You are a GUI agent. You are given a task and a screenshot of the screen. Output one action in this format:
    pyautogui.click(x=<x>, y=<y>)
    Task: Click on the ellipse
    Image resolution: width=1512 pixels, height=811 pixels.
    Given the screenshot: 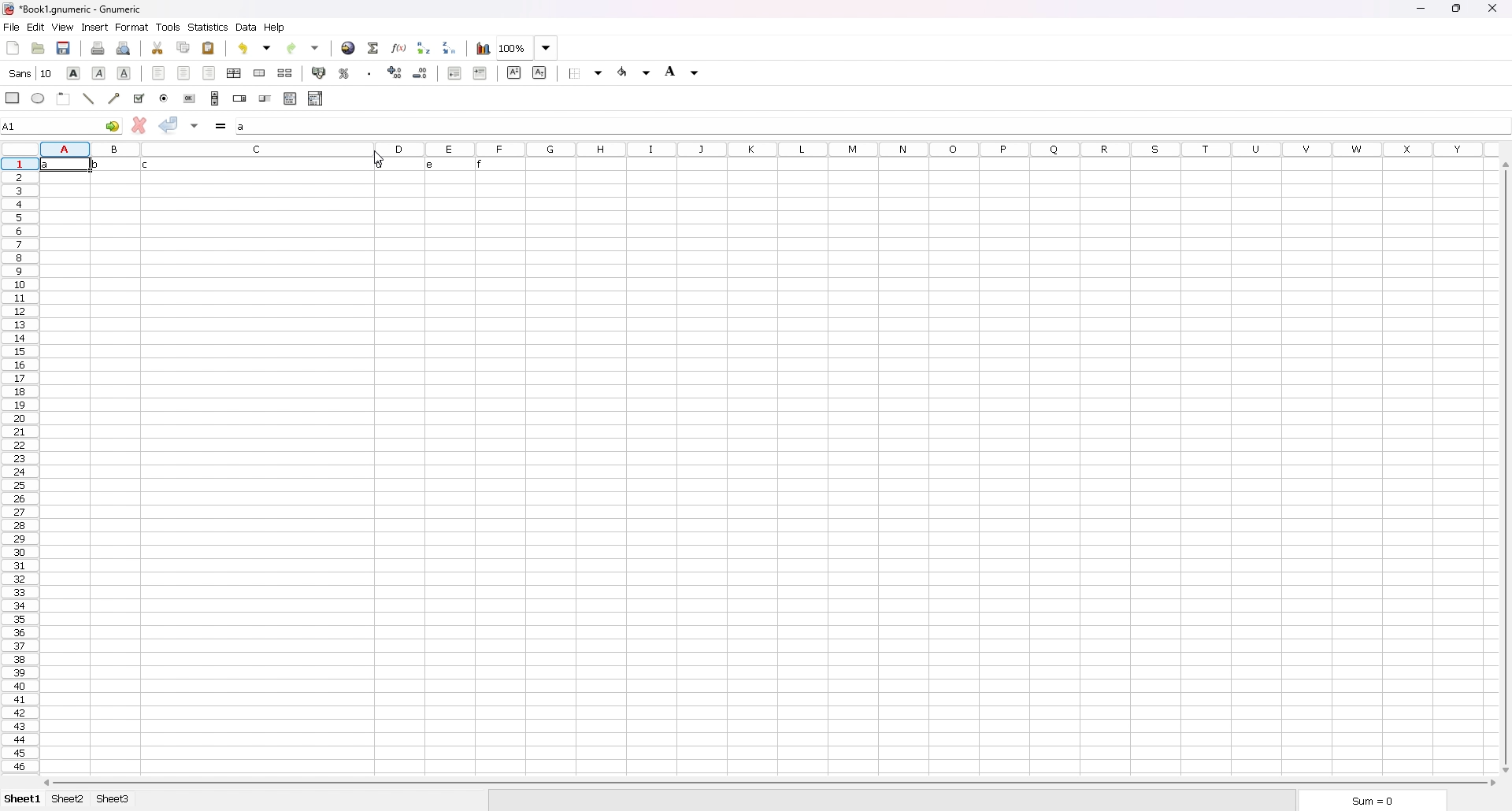 What is the action you would take?
    pyautogui.click(x=39, y=98)
    